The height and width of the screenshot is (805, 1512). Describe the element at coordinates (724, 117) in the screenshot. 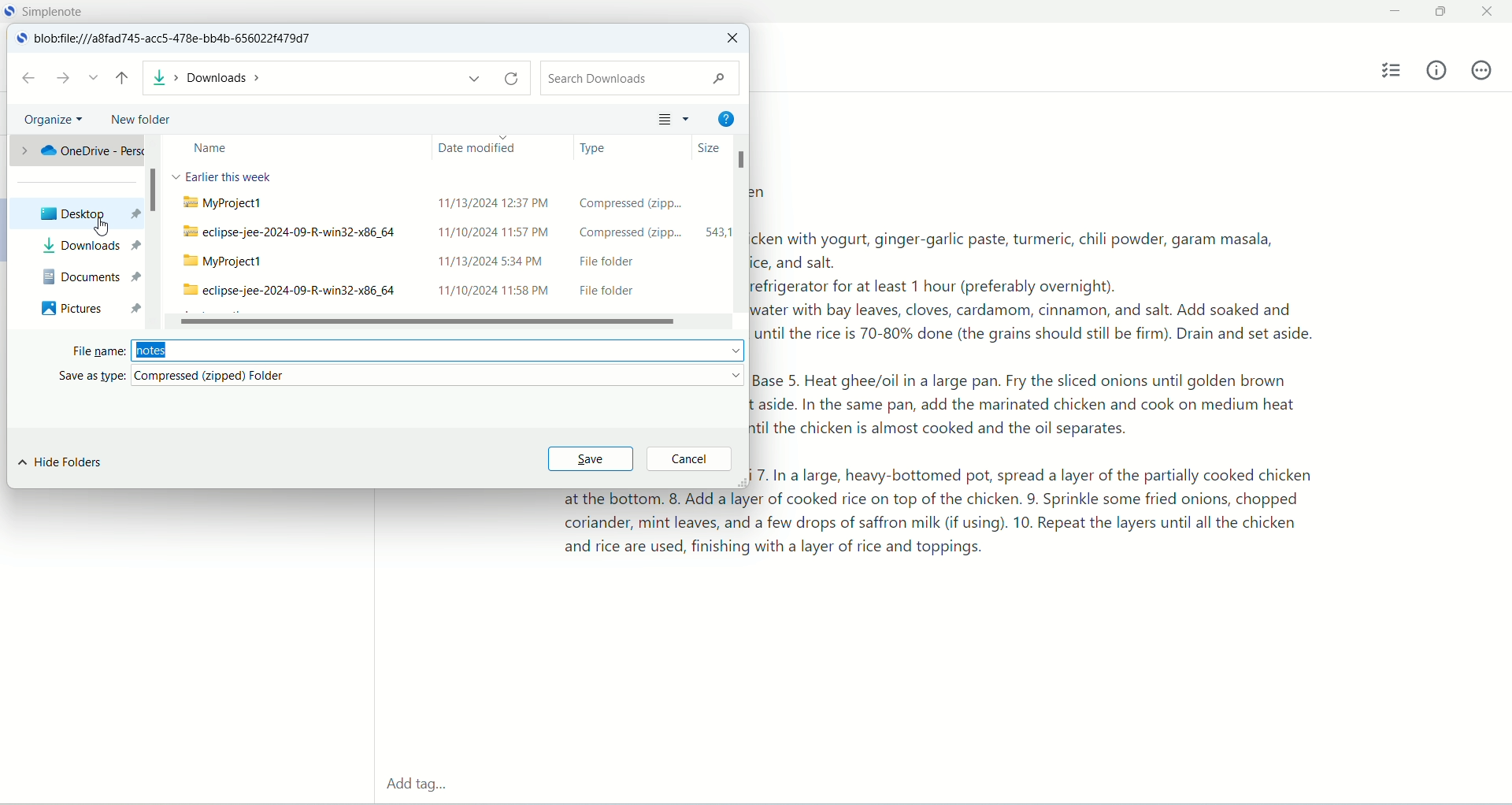

I see `help` at that location.